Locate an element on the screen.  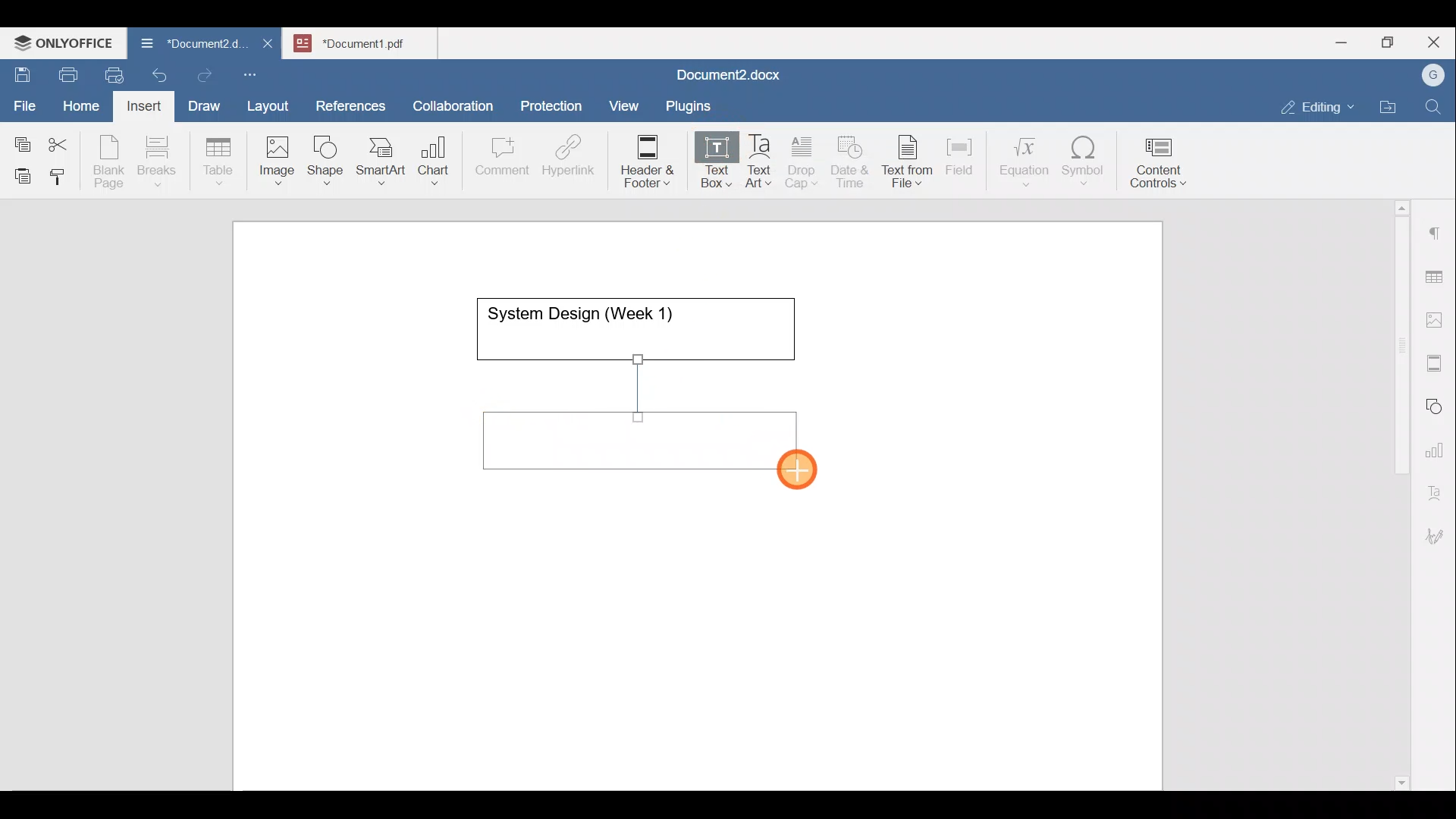
References is located at coordinates (350, 104).